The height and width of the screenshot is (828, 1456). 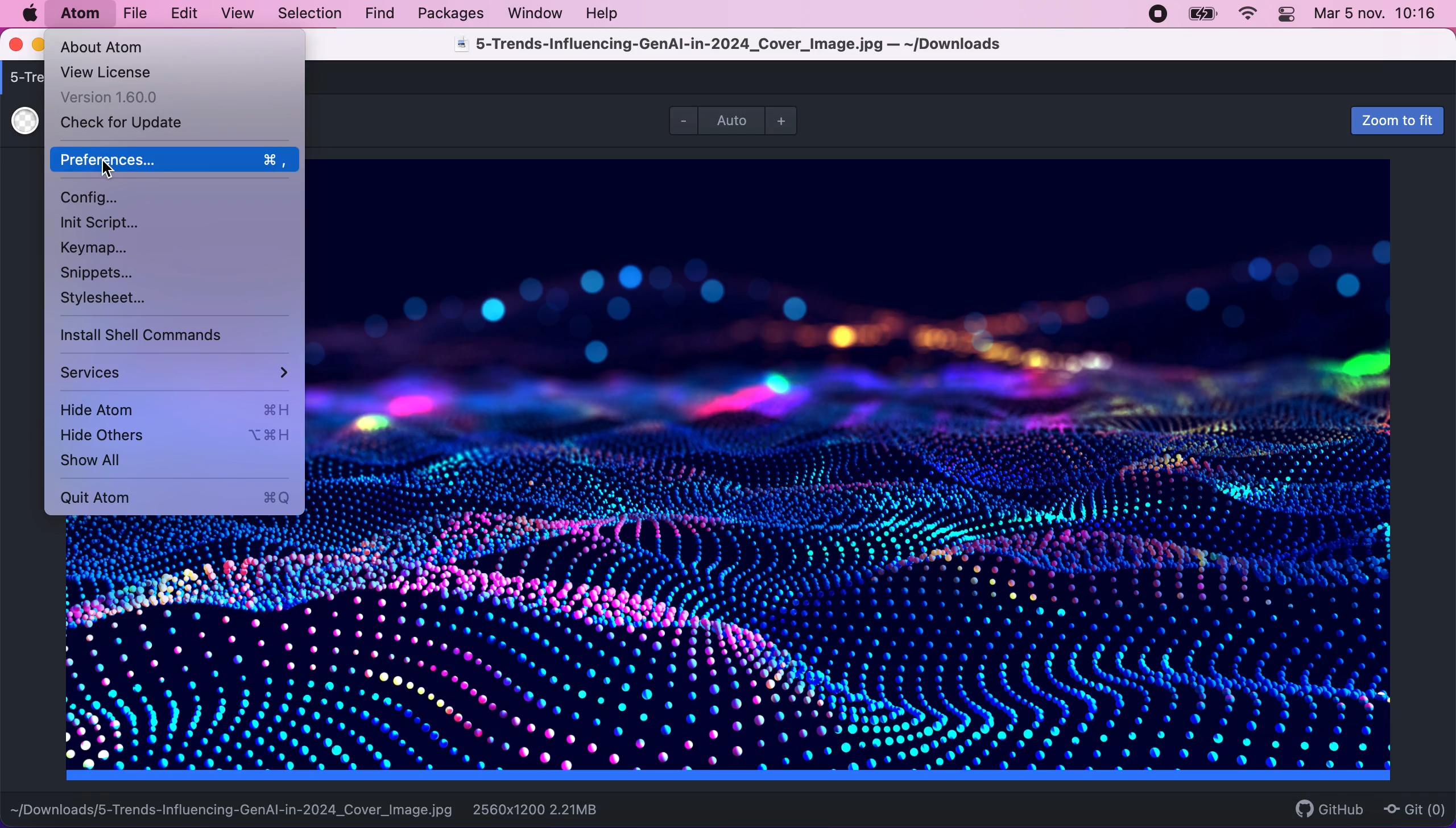 I want to click on pixels and mb, so click(x=555, y=809).